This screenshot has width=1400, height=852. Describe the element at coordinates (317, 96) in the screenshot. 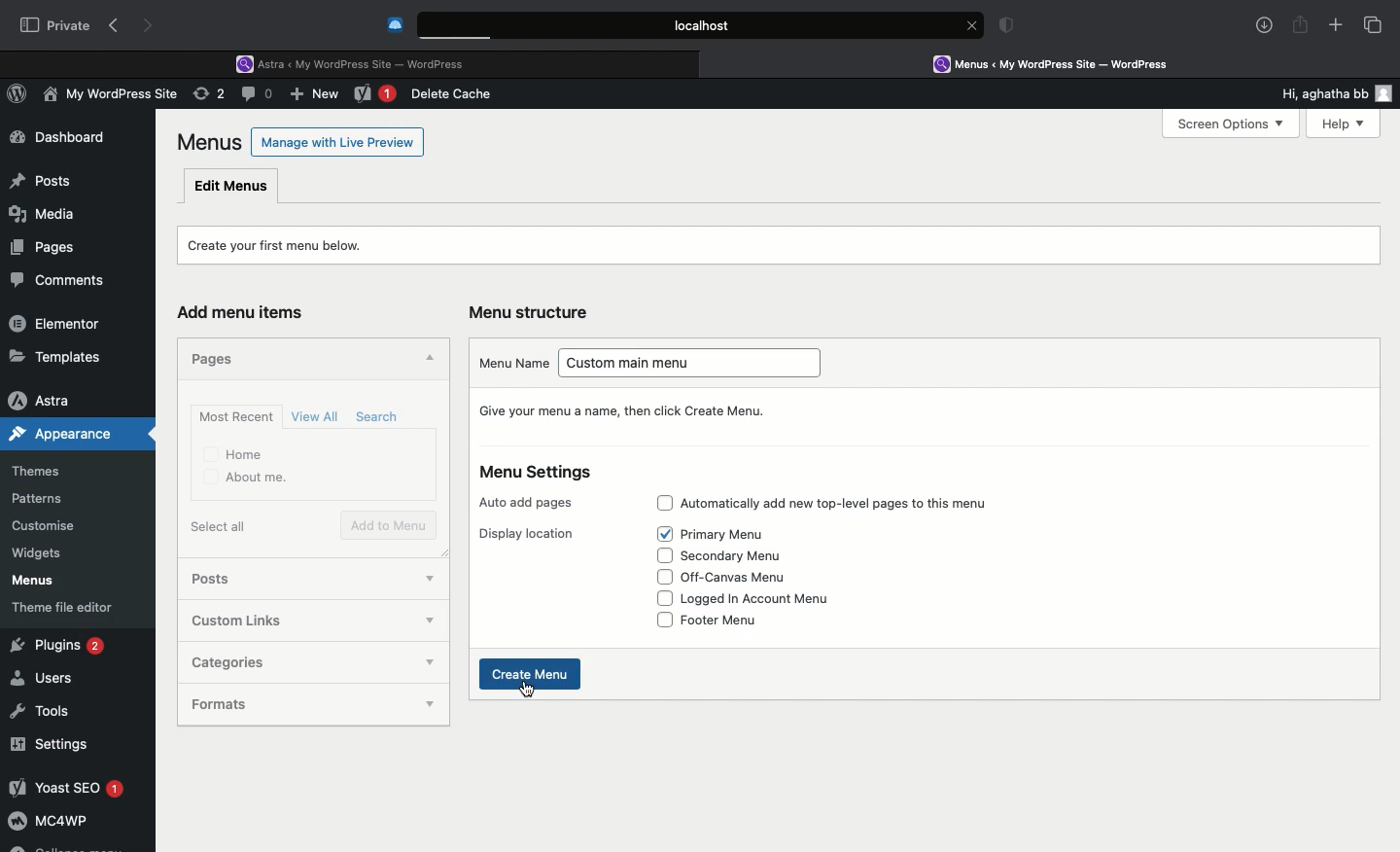

I see `New` at that location.